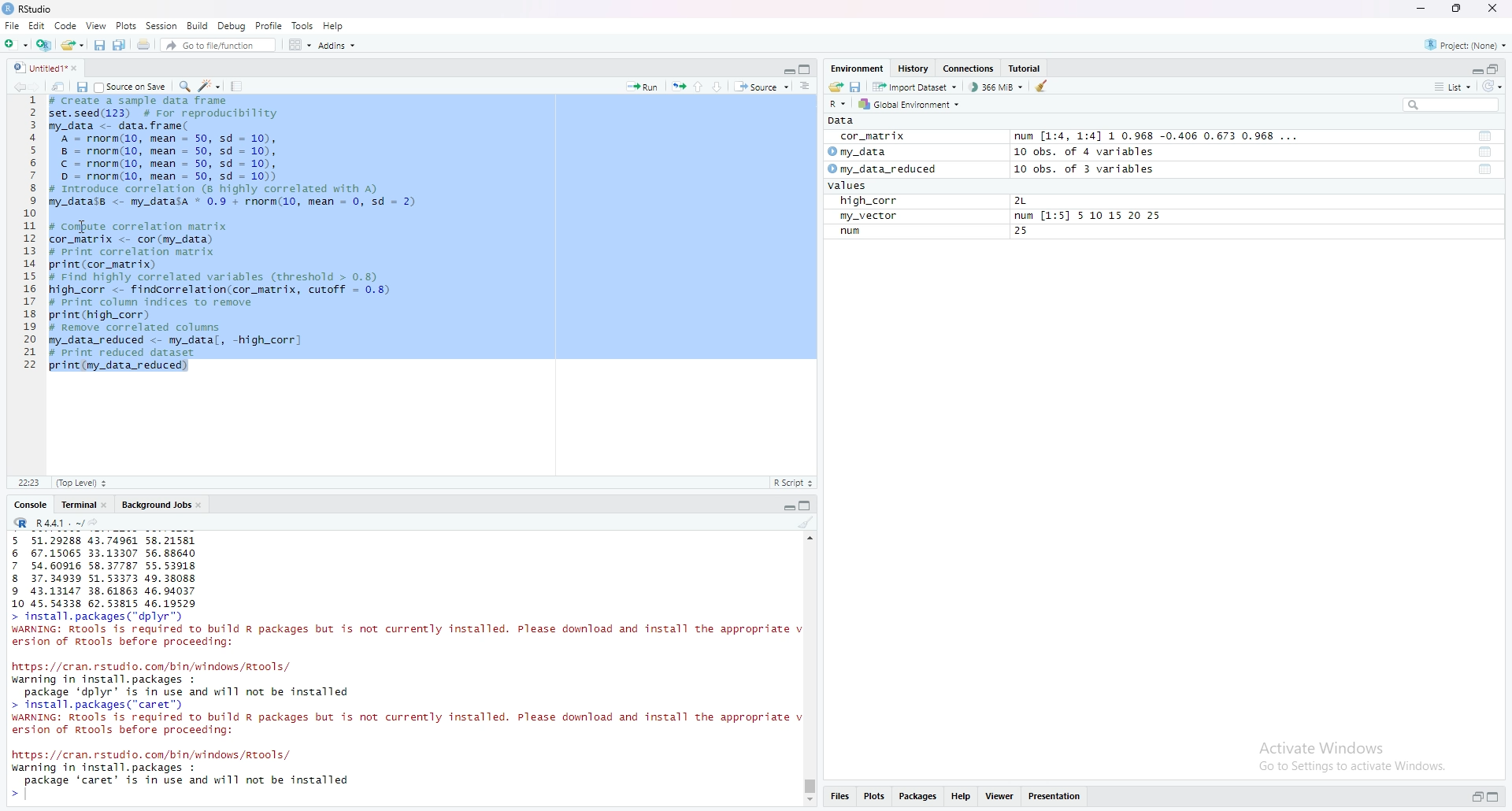 The image size is (1512, 811). What do you see at coordinates (73, 45) in the screenshot?
I see `share folder ` at bounding box center [73, 45].